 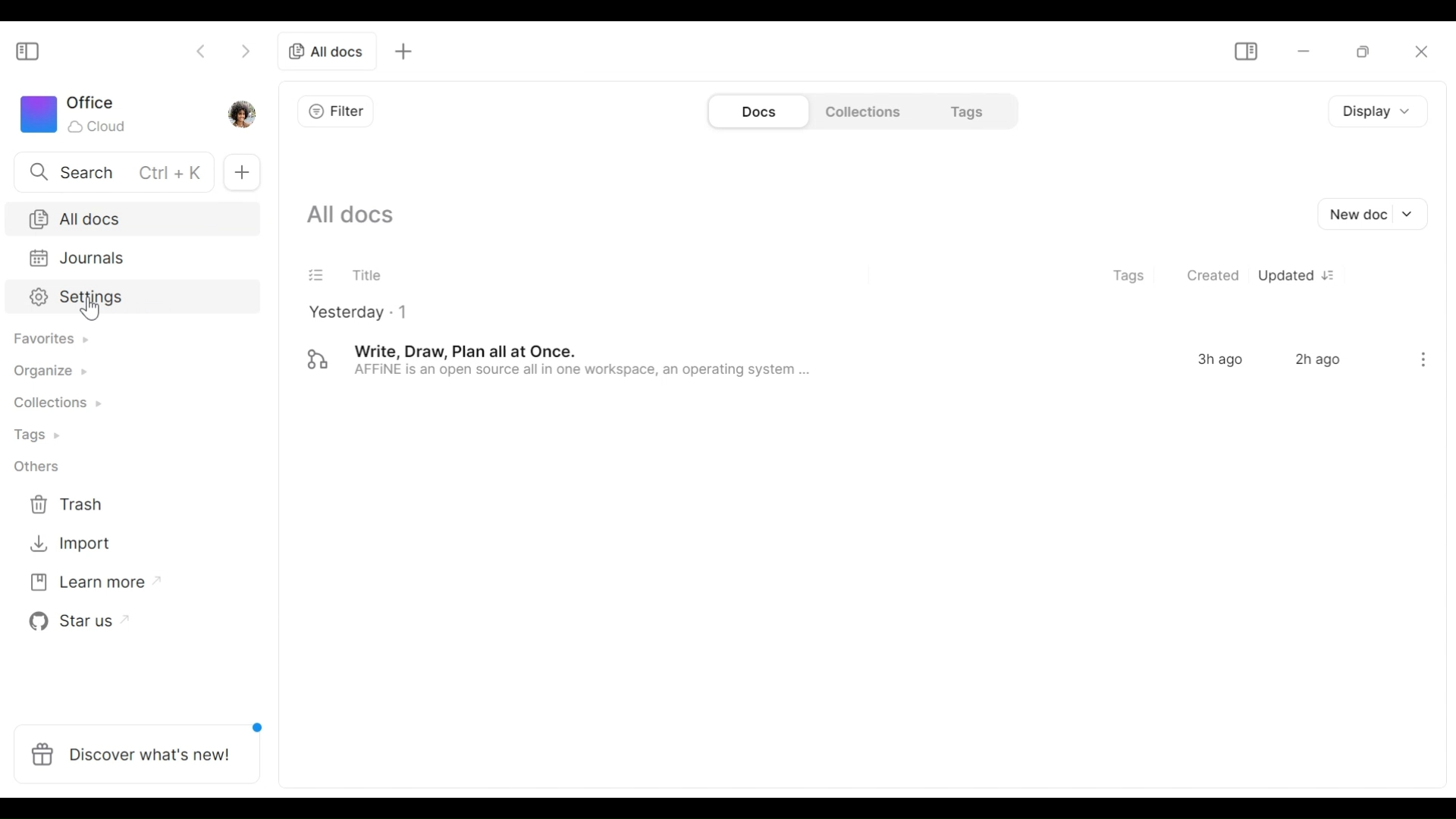 I want to click on Display, so click(x=1380, y=110).